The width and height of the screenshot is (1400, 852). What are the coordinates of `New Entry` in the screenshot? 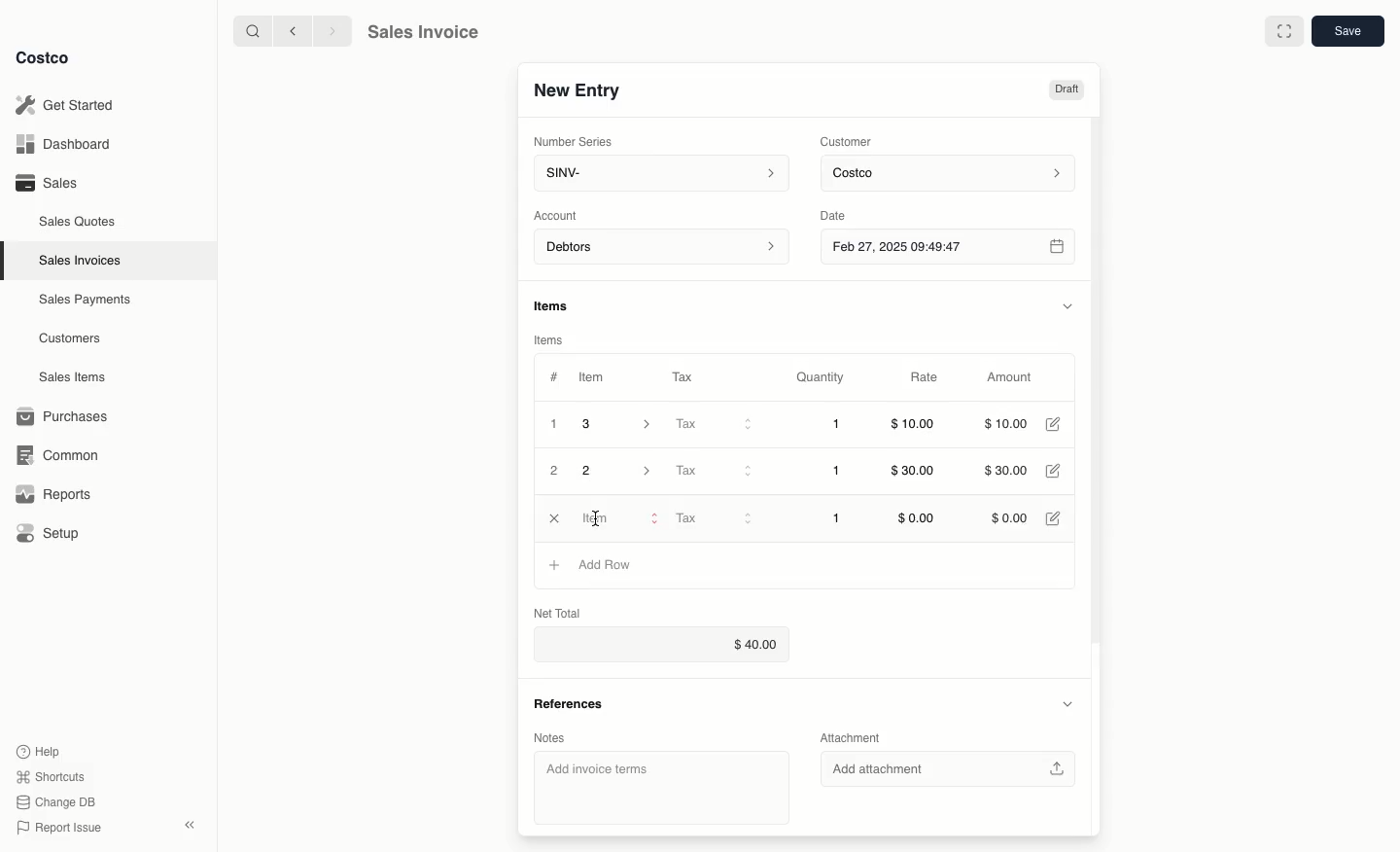 It's located at (577, 90).